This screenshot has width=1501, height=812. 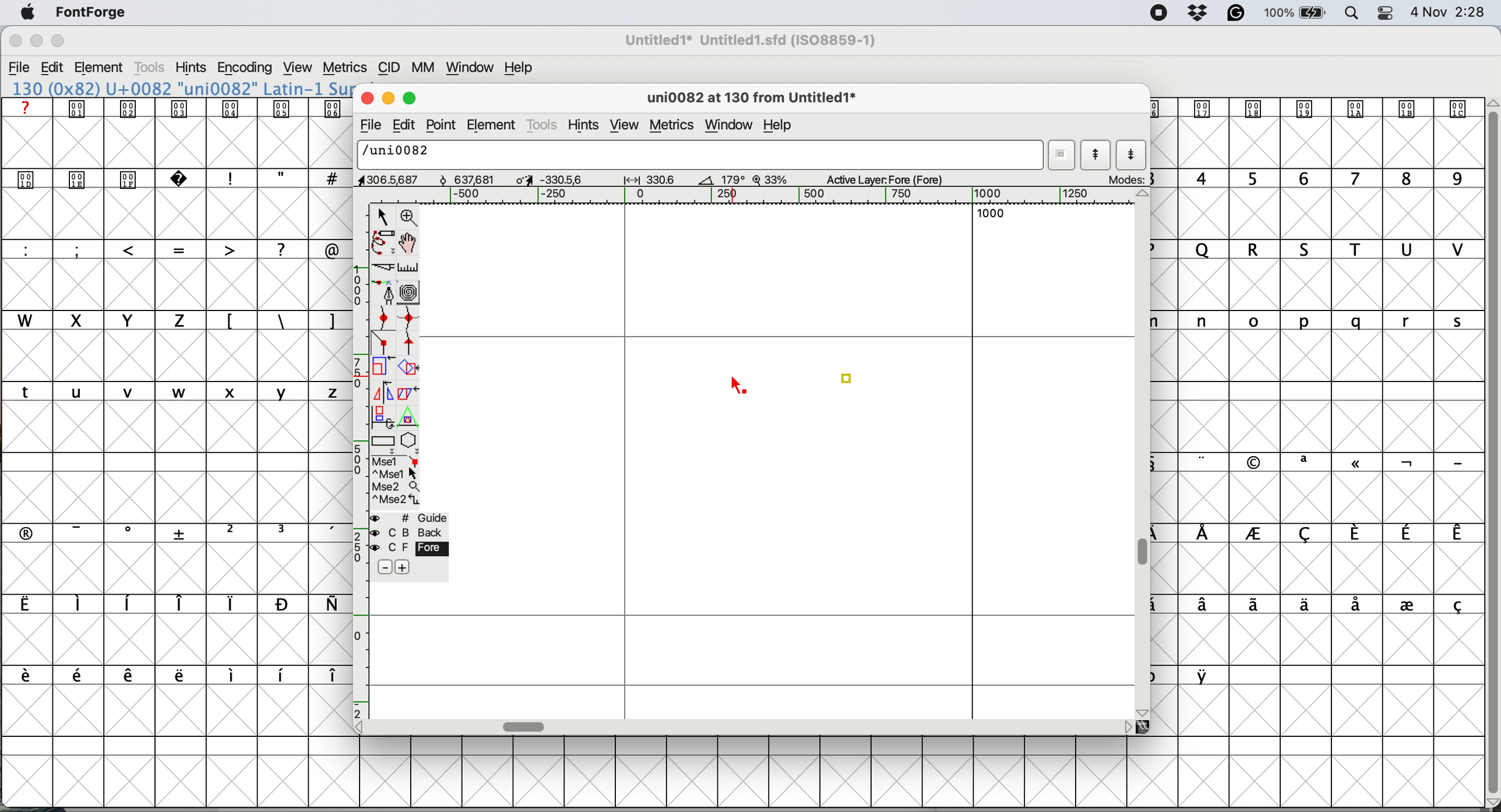 What do you see at coordinates (543, 126) in the screenshot?
I see `tools` at bounding box center [543, 126].